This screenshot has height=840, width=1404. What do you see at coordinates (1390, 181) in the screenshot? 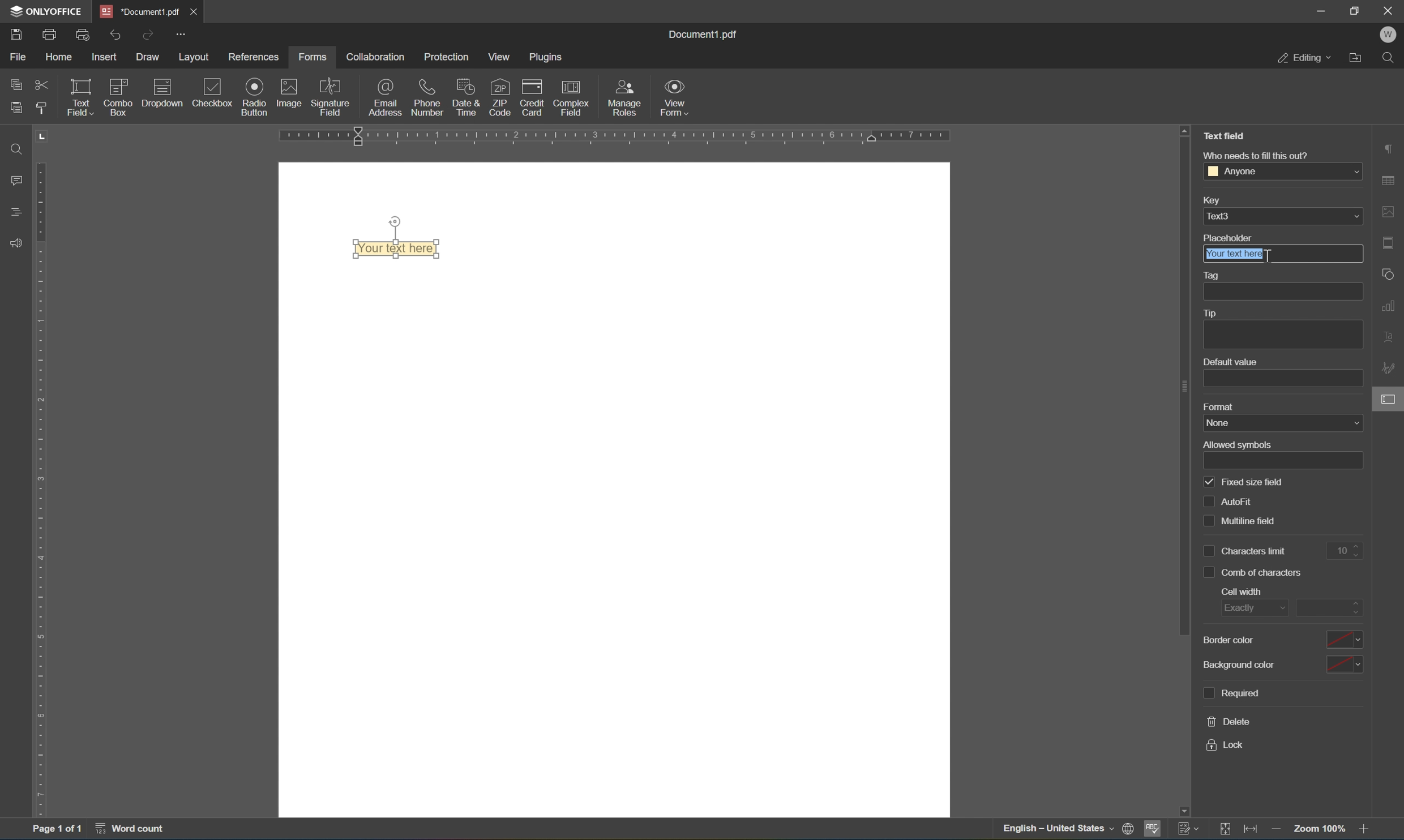
I see `table settings` at bounding box center [1390, 181].